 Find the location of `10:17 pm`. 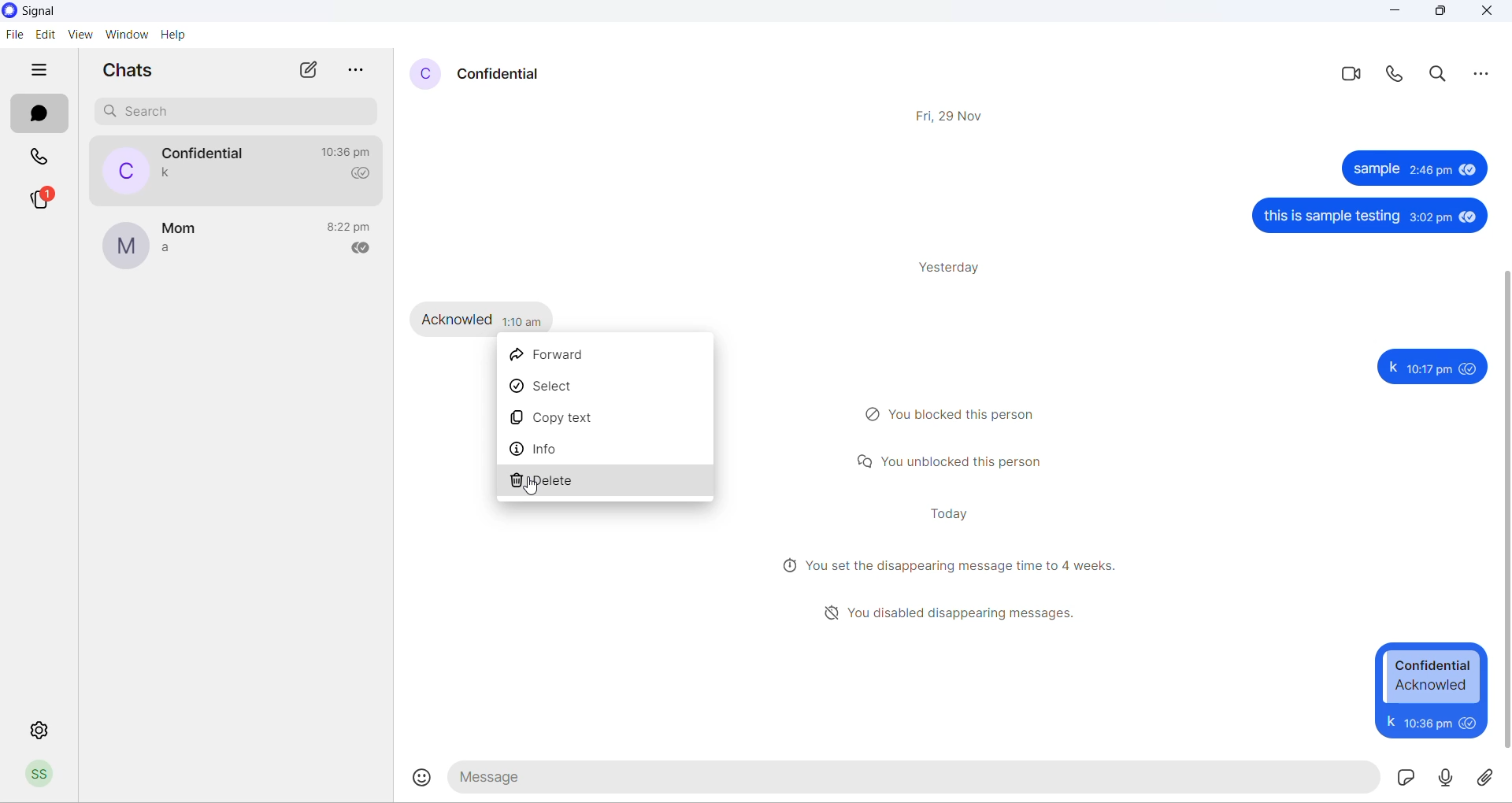

10:17 pm is located at coordinates (1430, 722).